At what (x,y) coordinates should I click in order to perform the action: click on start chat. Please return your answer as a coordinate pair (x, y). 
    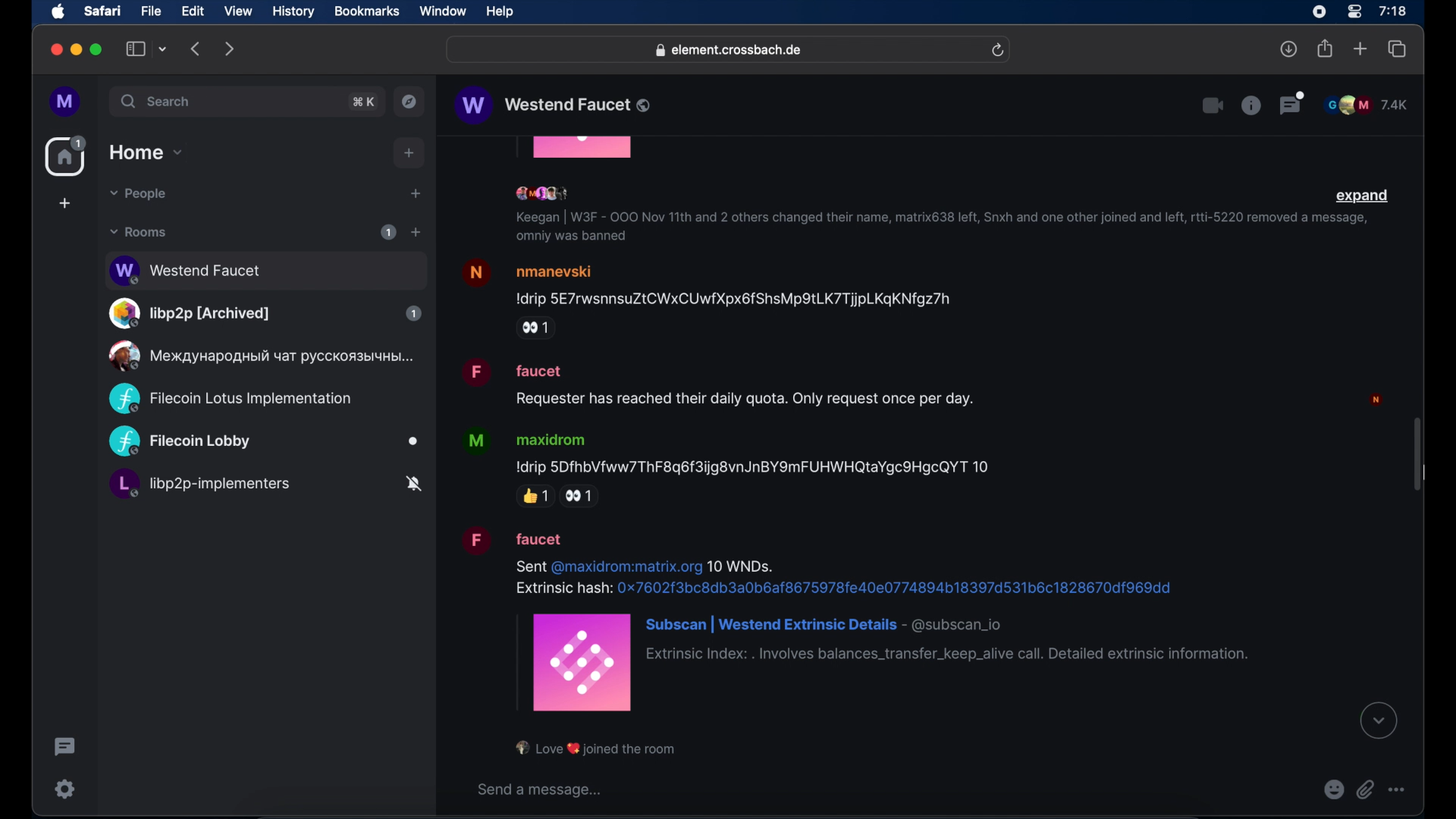
    Looking at the image, I should click on (415, 194).